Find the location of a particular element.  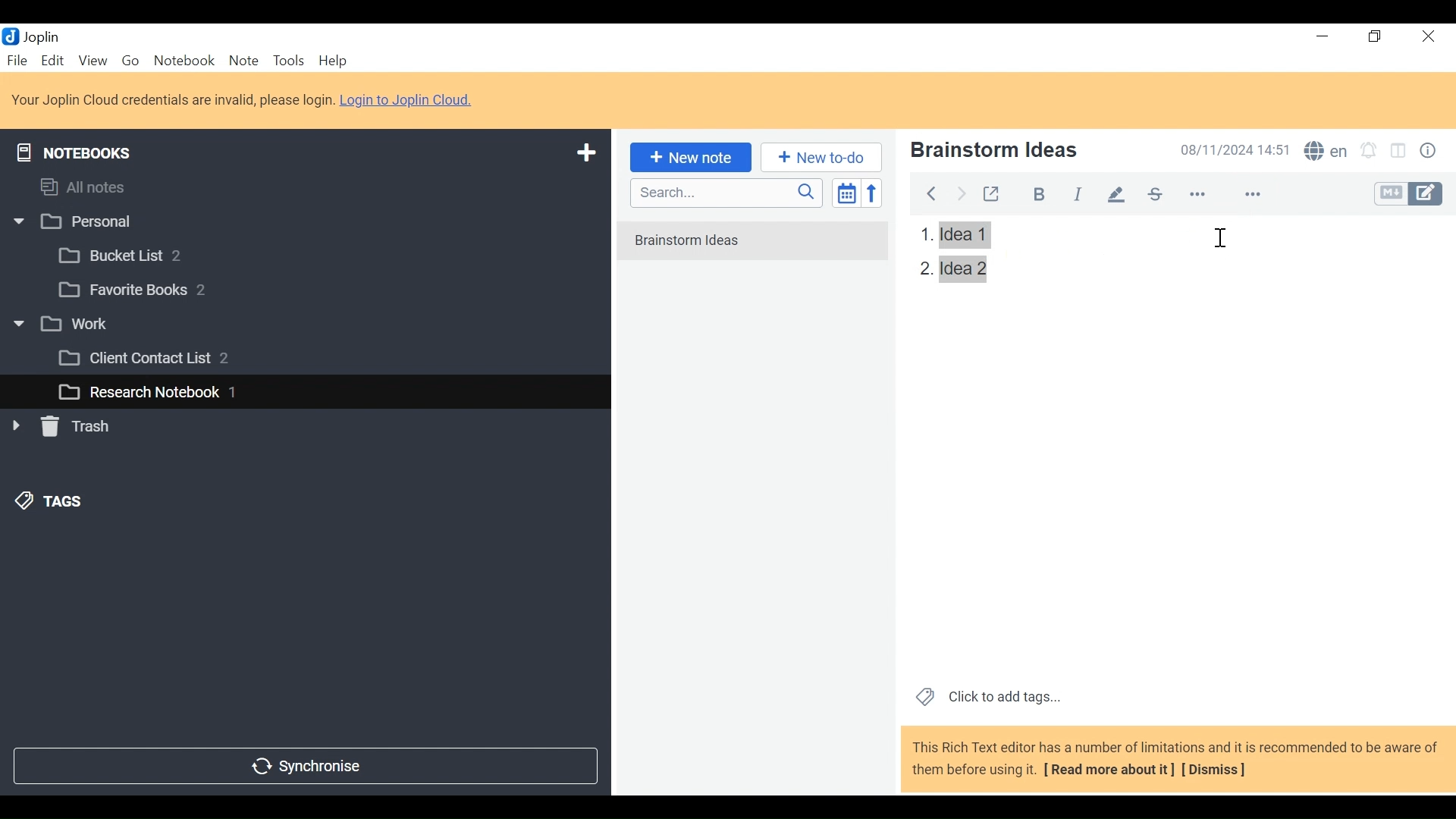

Bold is located at coordinates (1032, 192).